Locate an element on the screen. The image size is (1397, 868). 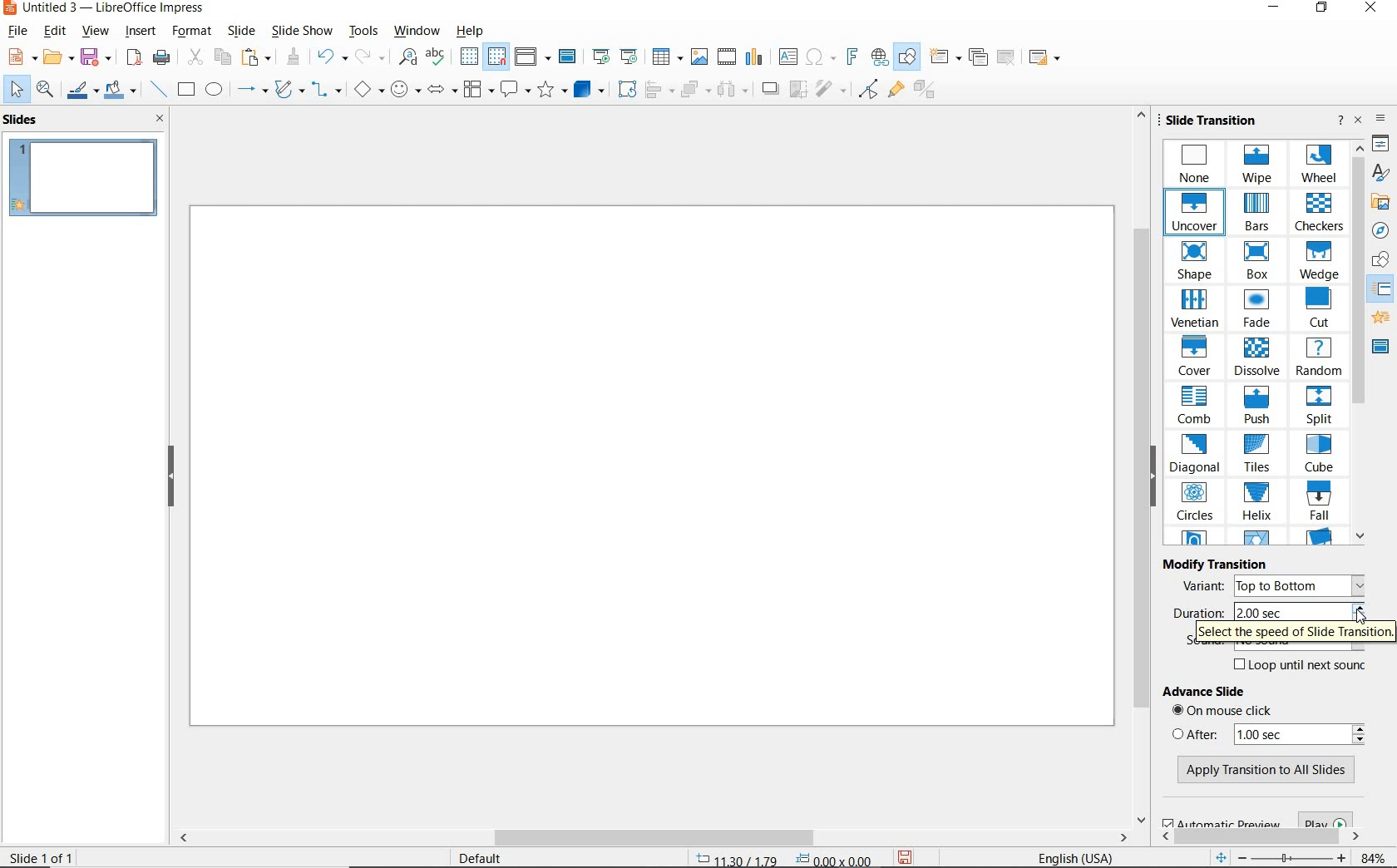
VENETIAN is located at coordinates (1197, 309).